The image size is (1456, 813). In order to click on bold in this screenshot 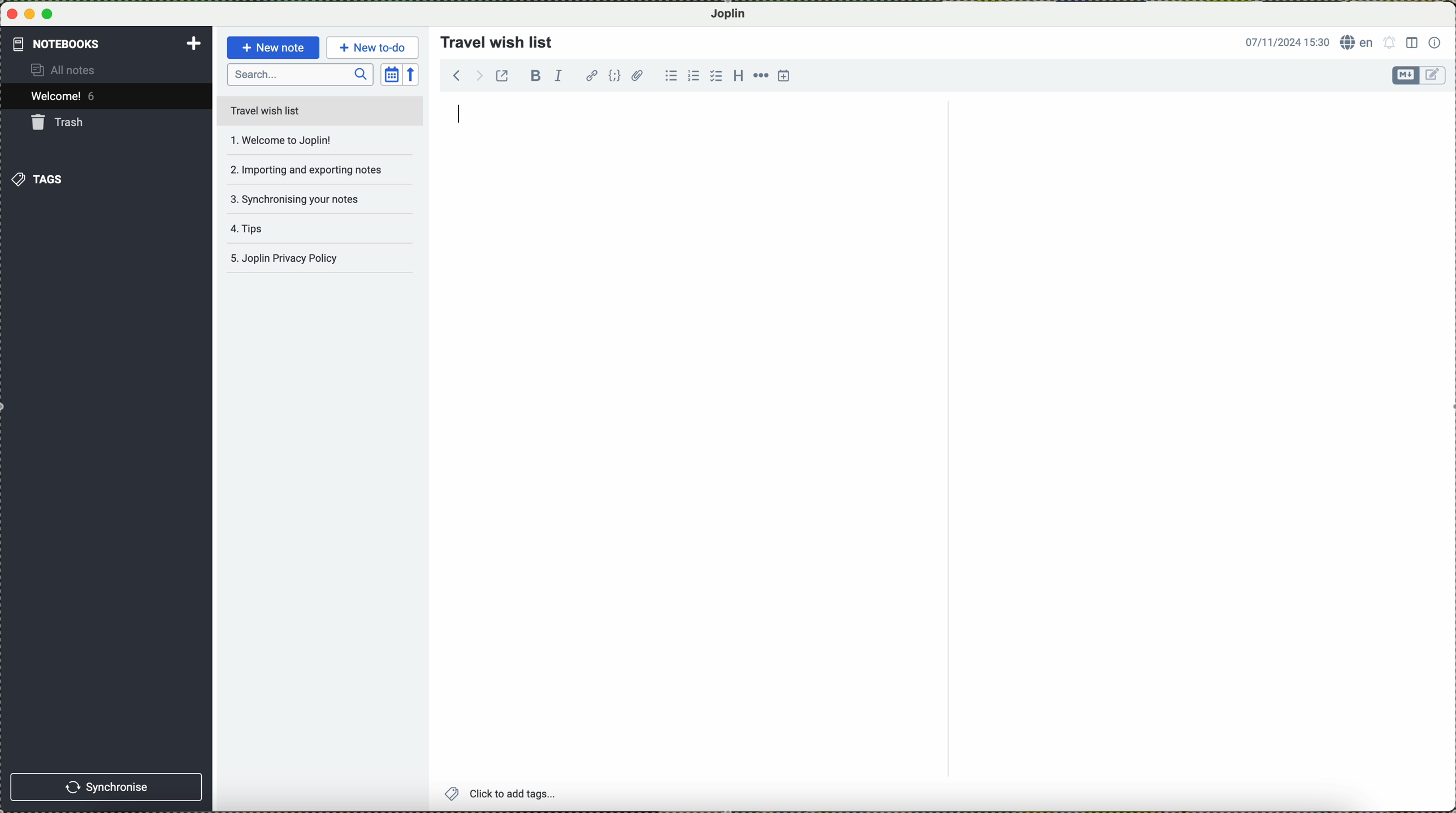, I will do `click(536, 75)`.